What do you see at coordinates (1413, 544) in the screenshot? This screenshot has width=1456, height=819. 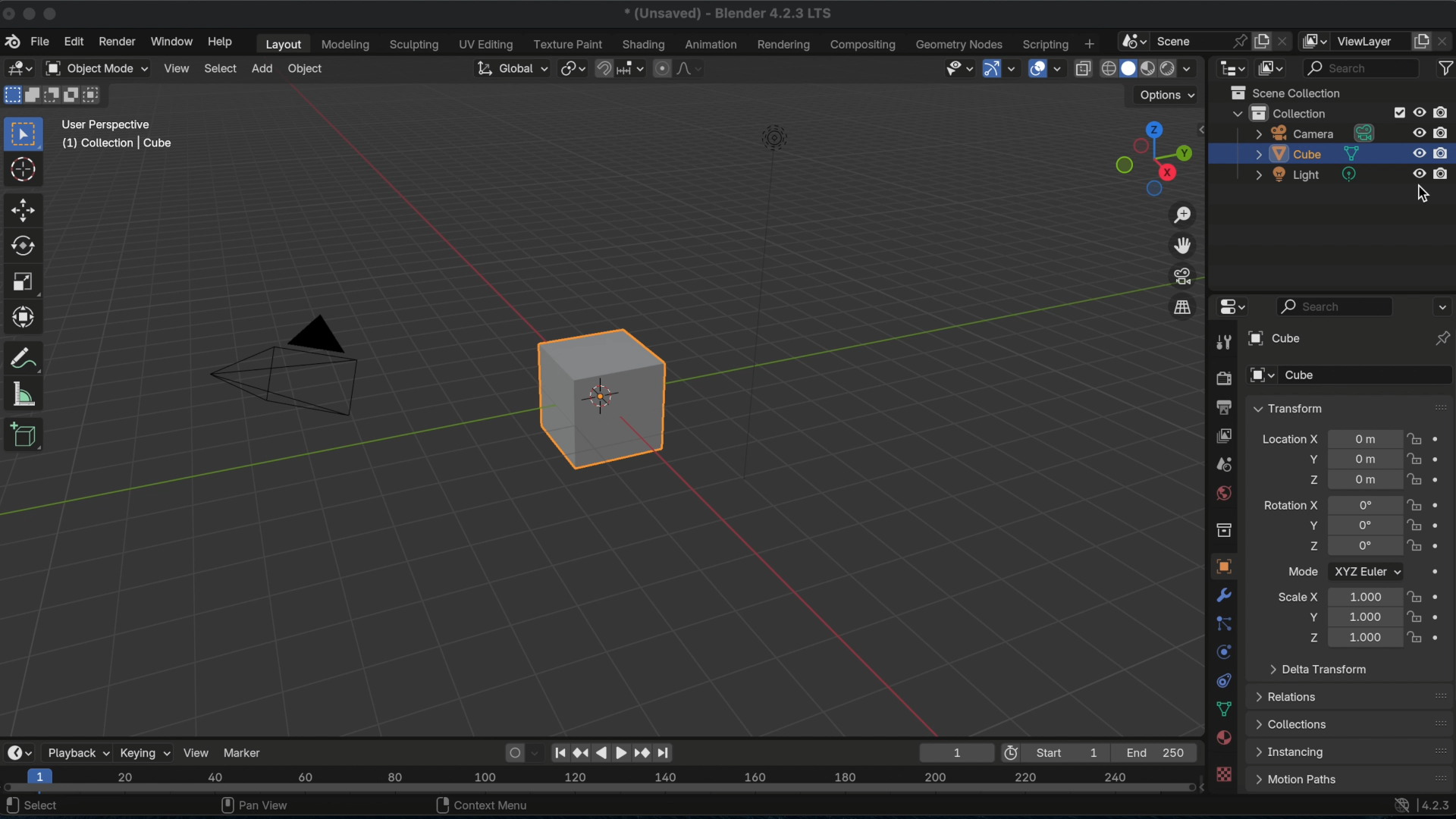 I see `lock rotation` at bounding box center [1413, 544].